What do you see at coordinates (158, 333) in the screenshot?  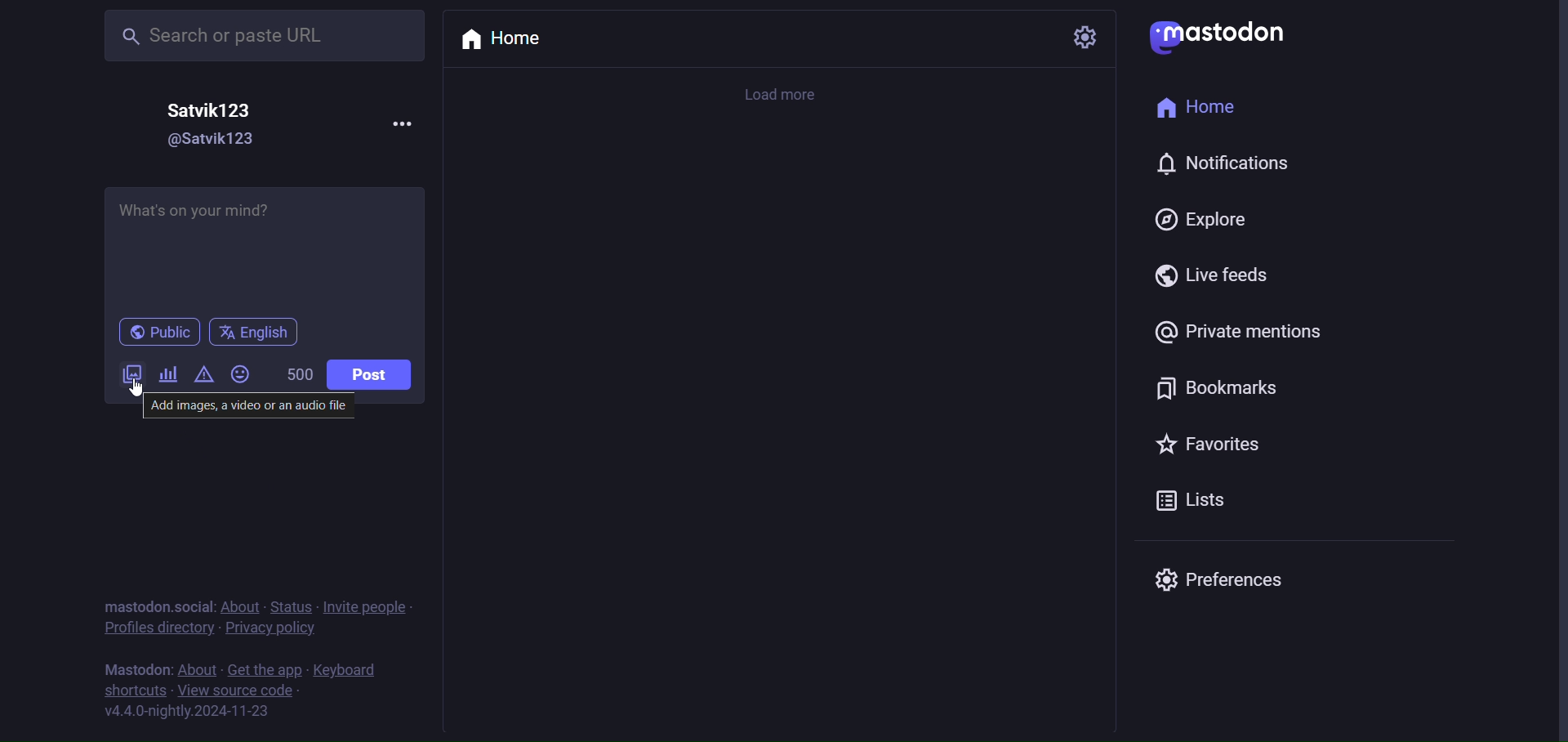 I see `public` at bounding box center [158, 333].